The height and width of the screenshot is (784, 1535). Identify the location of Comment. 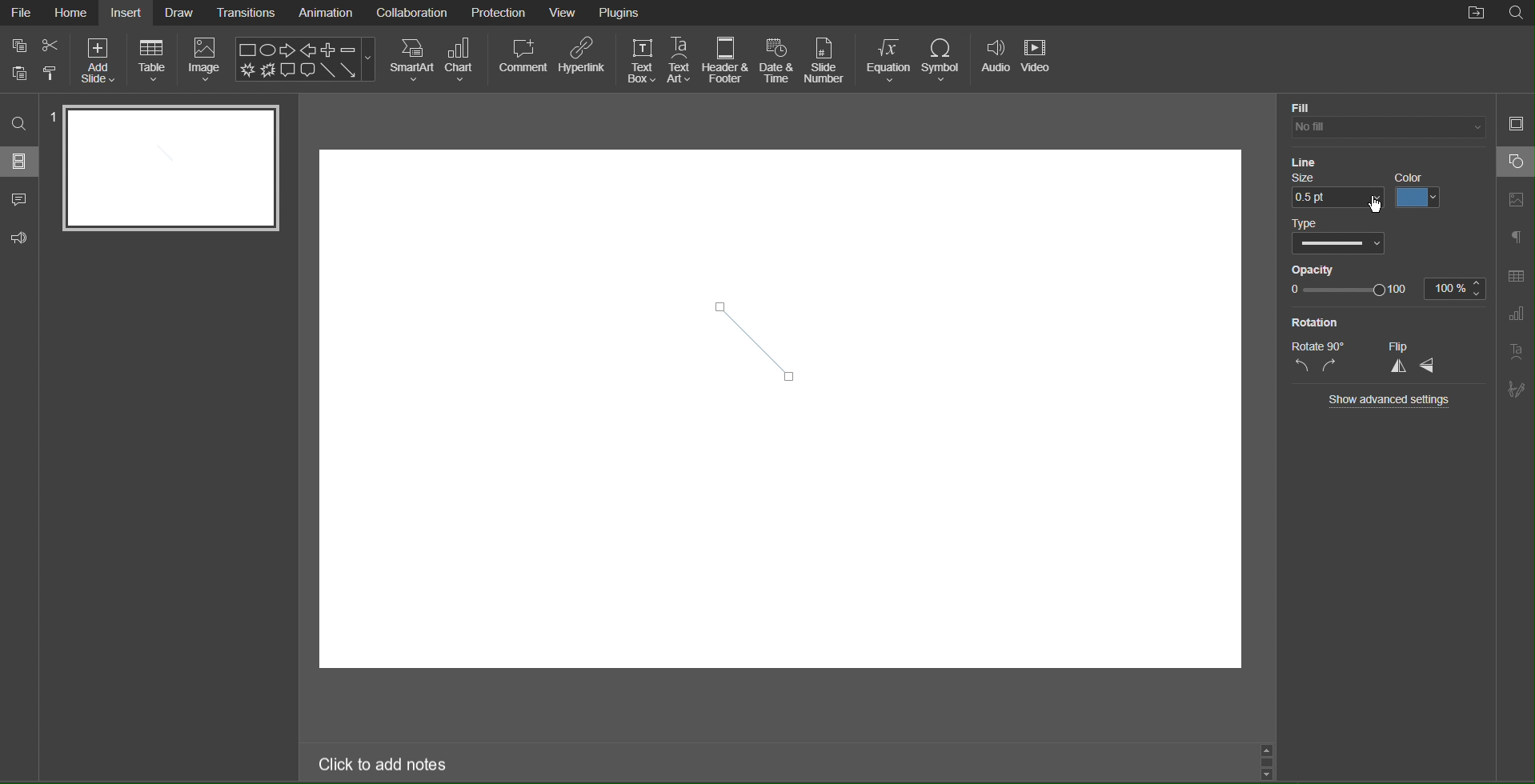
(522, 60).